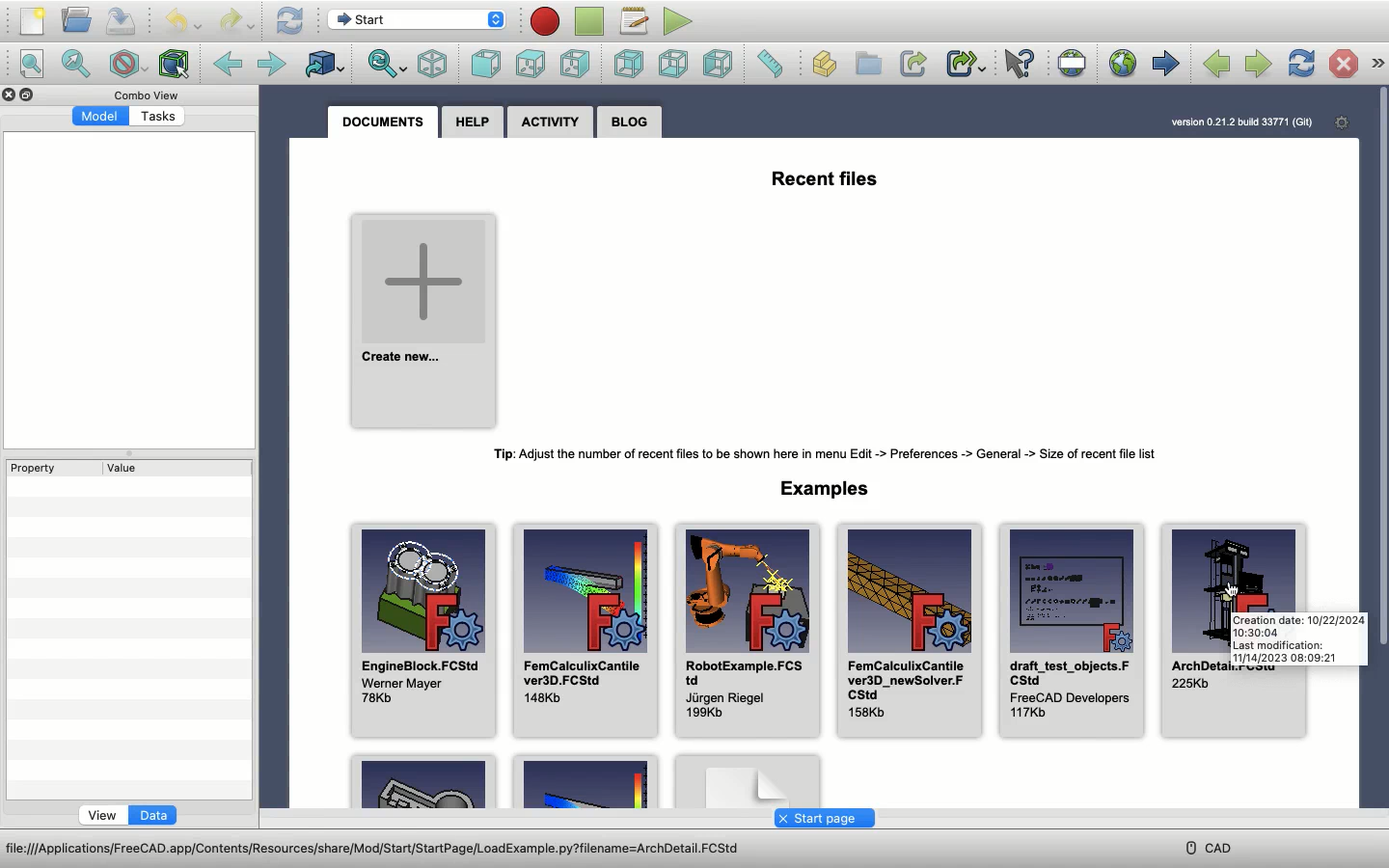 This screenshot has width=1389, height=868. I want to click on Stop loading, so click(1343, 64).